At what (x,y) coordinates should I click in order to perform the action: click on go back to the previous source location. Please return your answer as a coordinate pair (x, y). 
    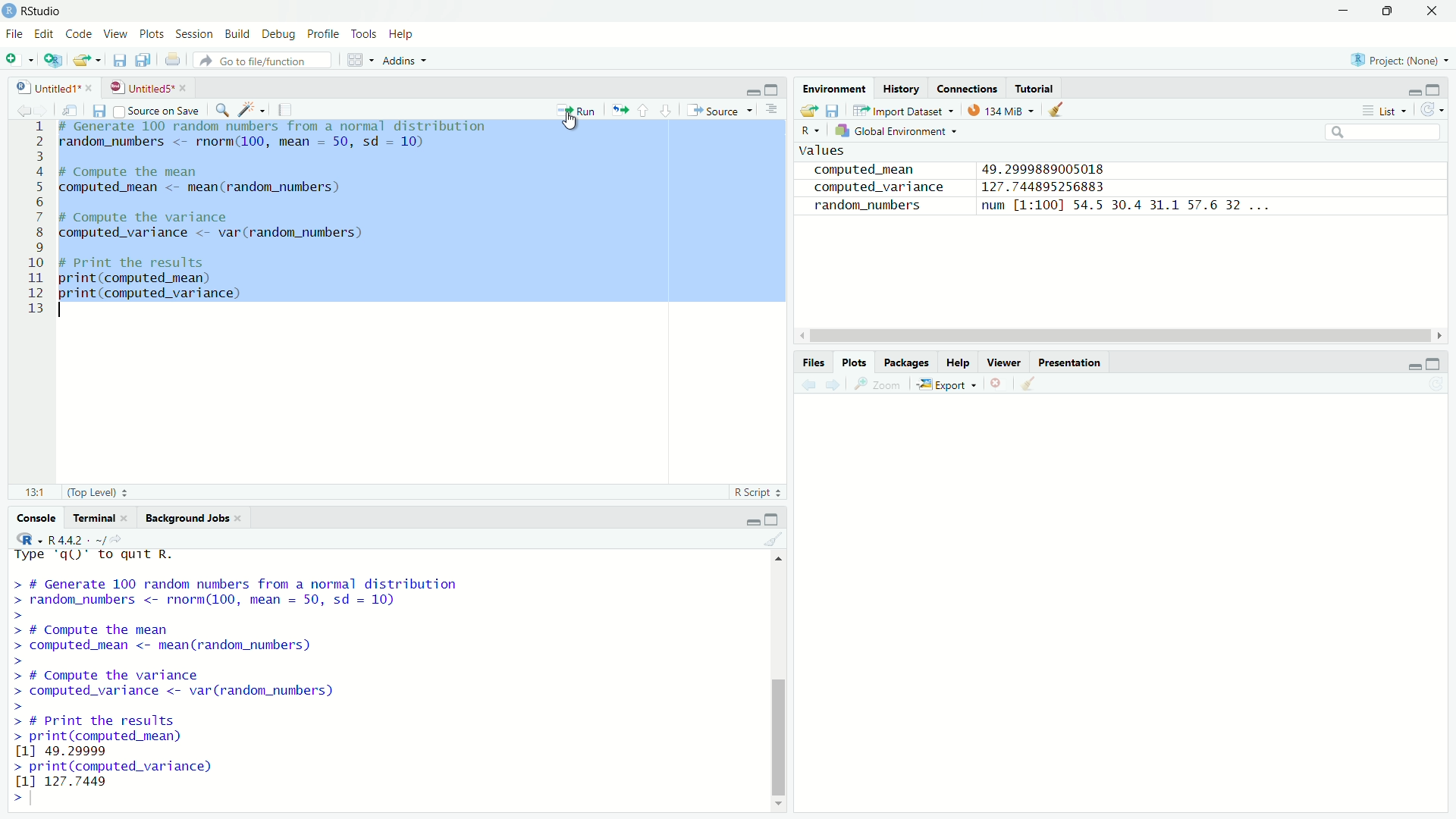
    Looking at the image, I should click on (14, 108).